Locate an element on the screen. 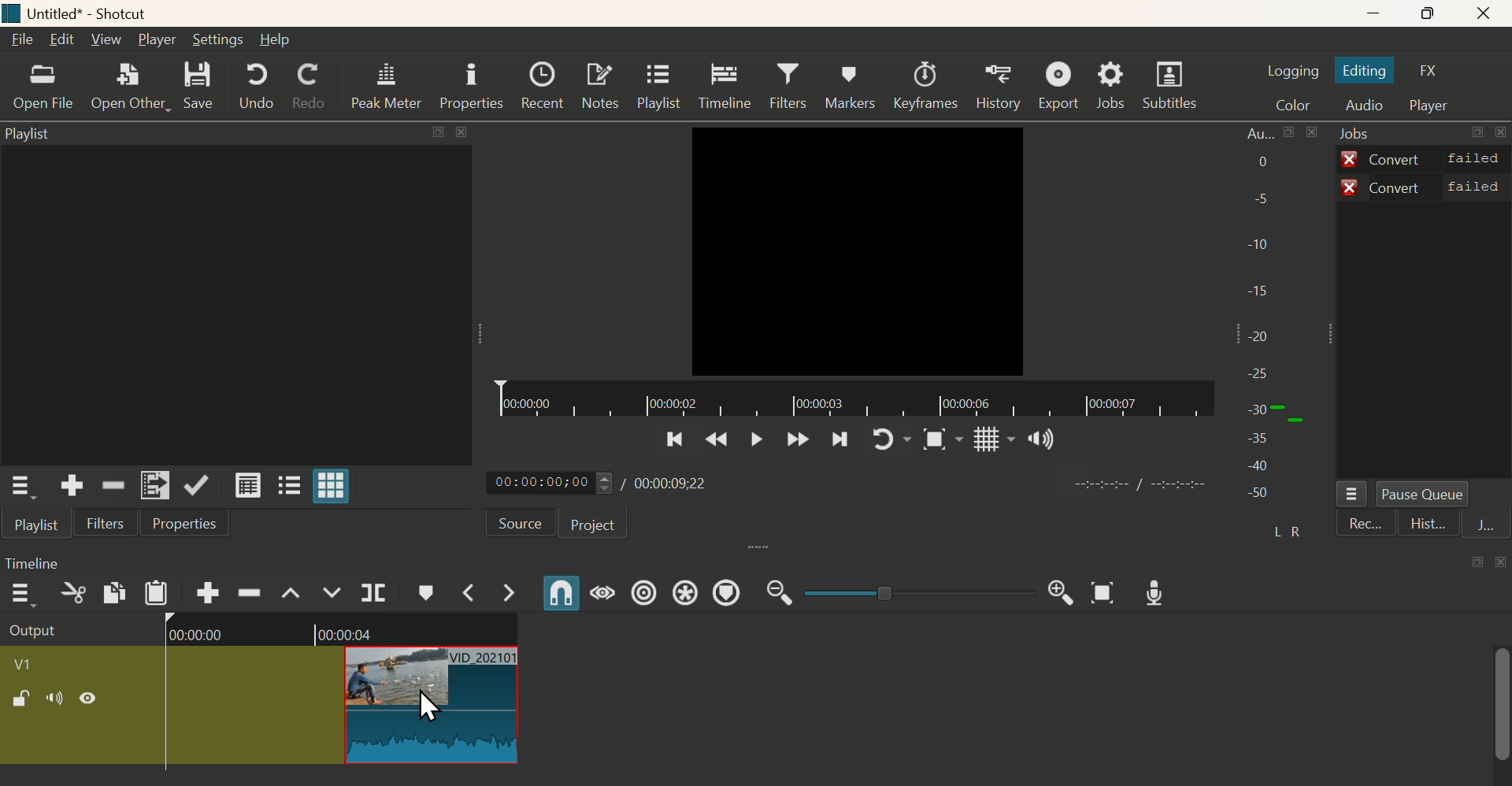 This screenshot has height=786, width=1512. Save is located at coordinates (203, 90).